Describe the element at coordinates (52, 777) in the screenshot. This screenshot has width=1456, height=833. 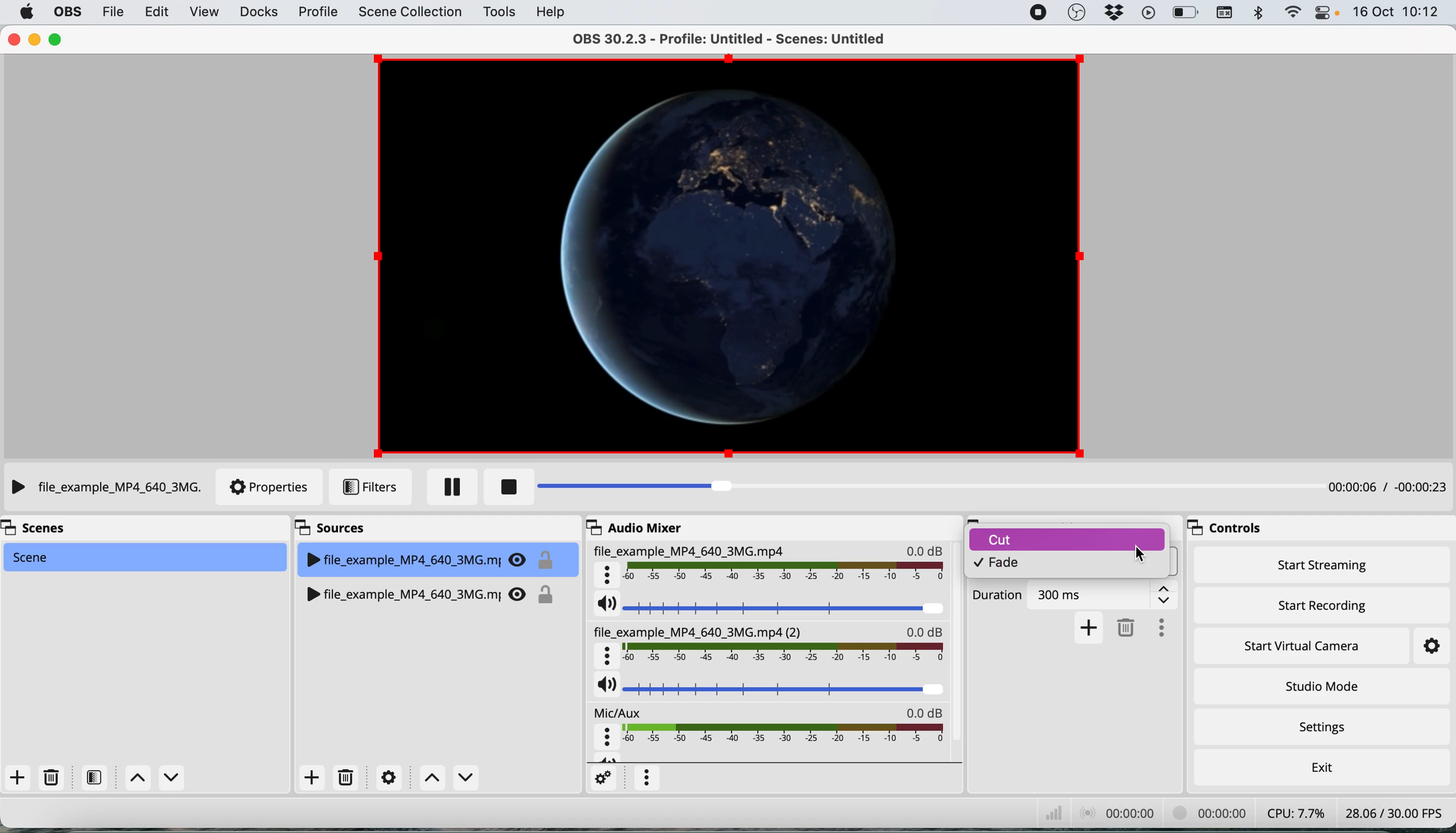
I see `delete scene` at that location.